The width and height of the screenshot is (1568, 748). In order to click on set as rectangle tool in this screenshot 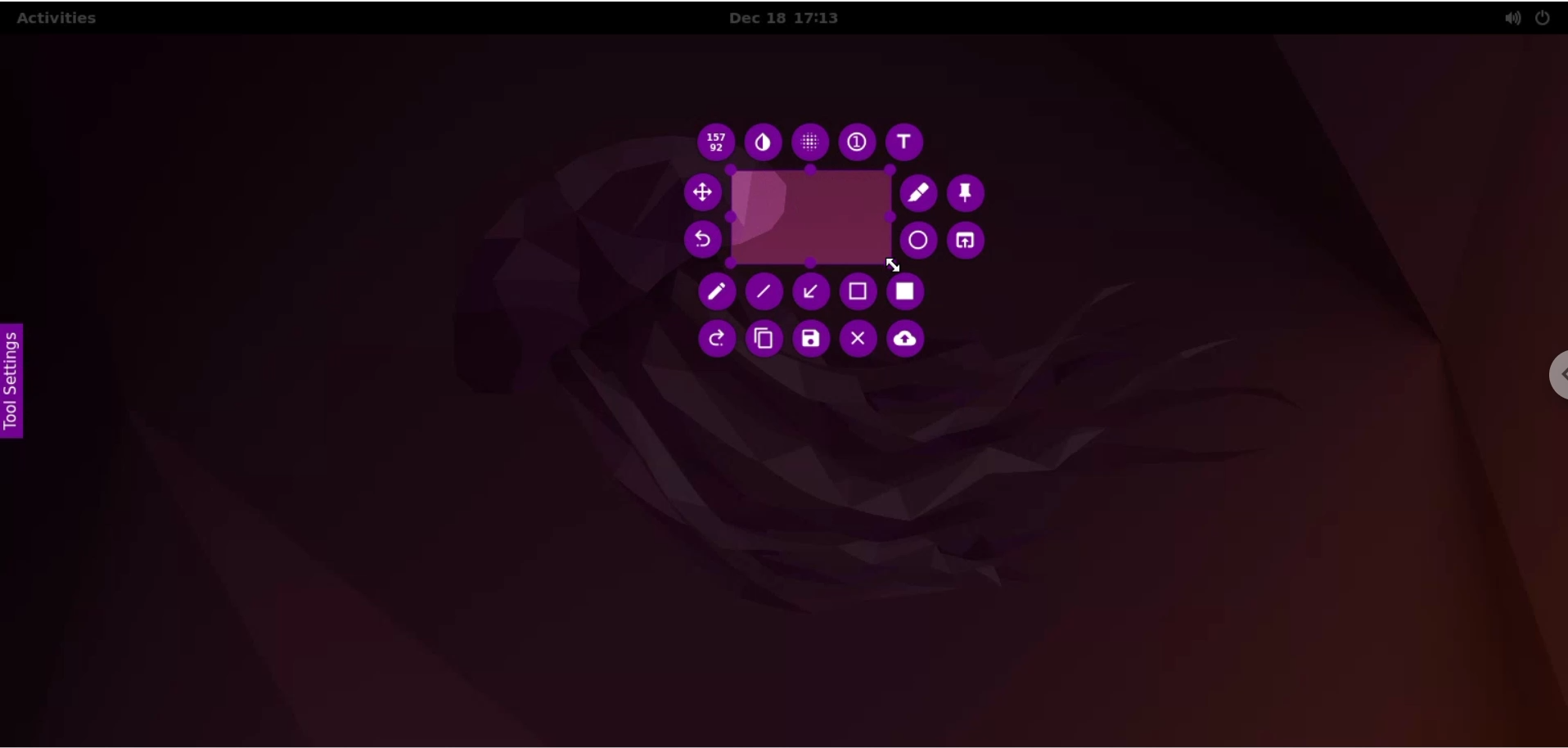, I will do `click(909, 292)`.